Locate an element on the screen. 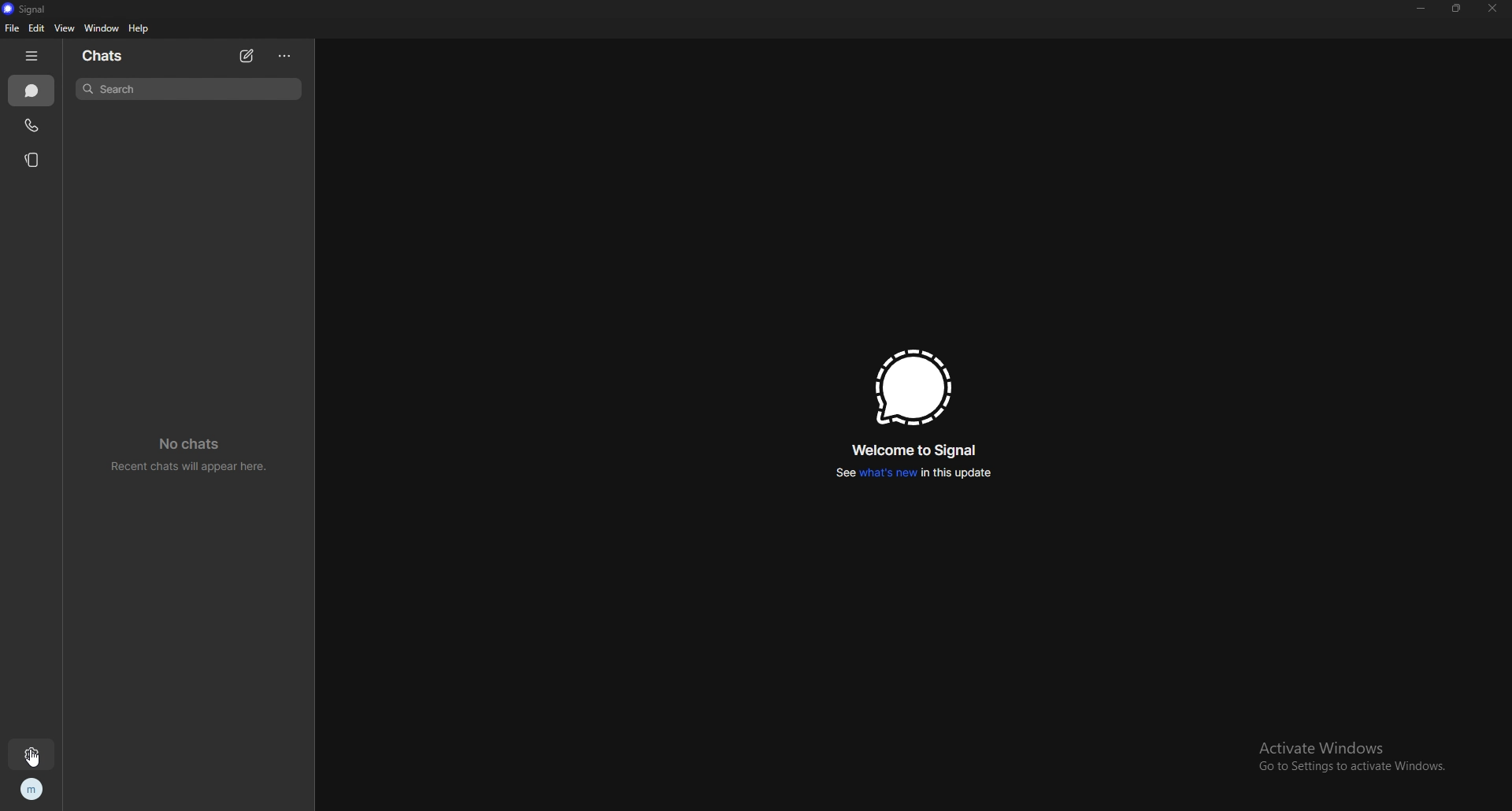 This screenshot has width=1512, height=811. search is located at coordinates (189, 88).